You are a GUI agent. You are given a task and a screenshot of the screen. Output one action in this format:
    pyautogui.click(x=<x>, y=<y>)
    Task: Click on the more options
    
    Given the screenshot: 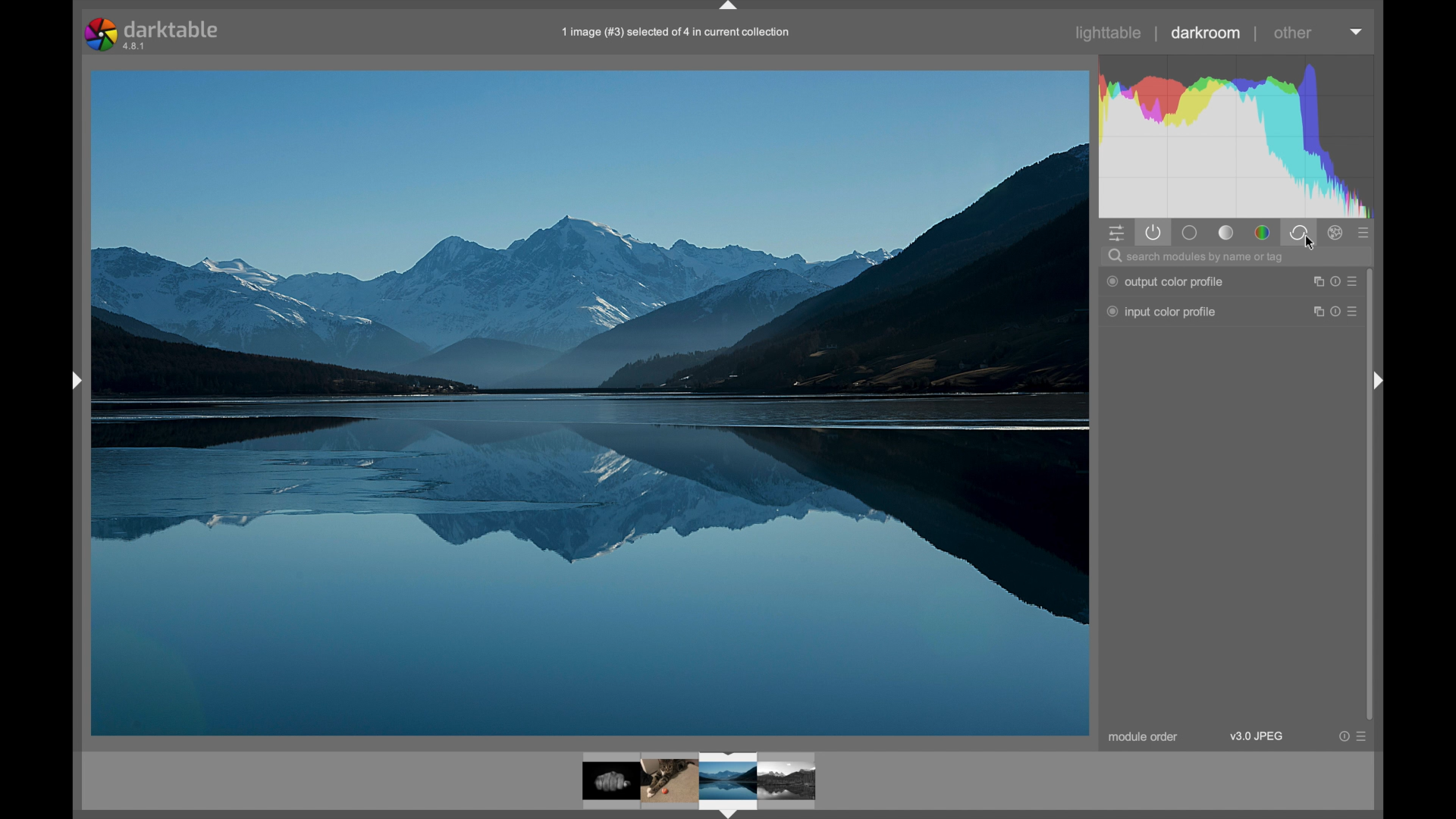 What is the action you would take?
    pyautogui.click(x=1352, y=736)
    